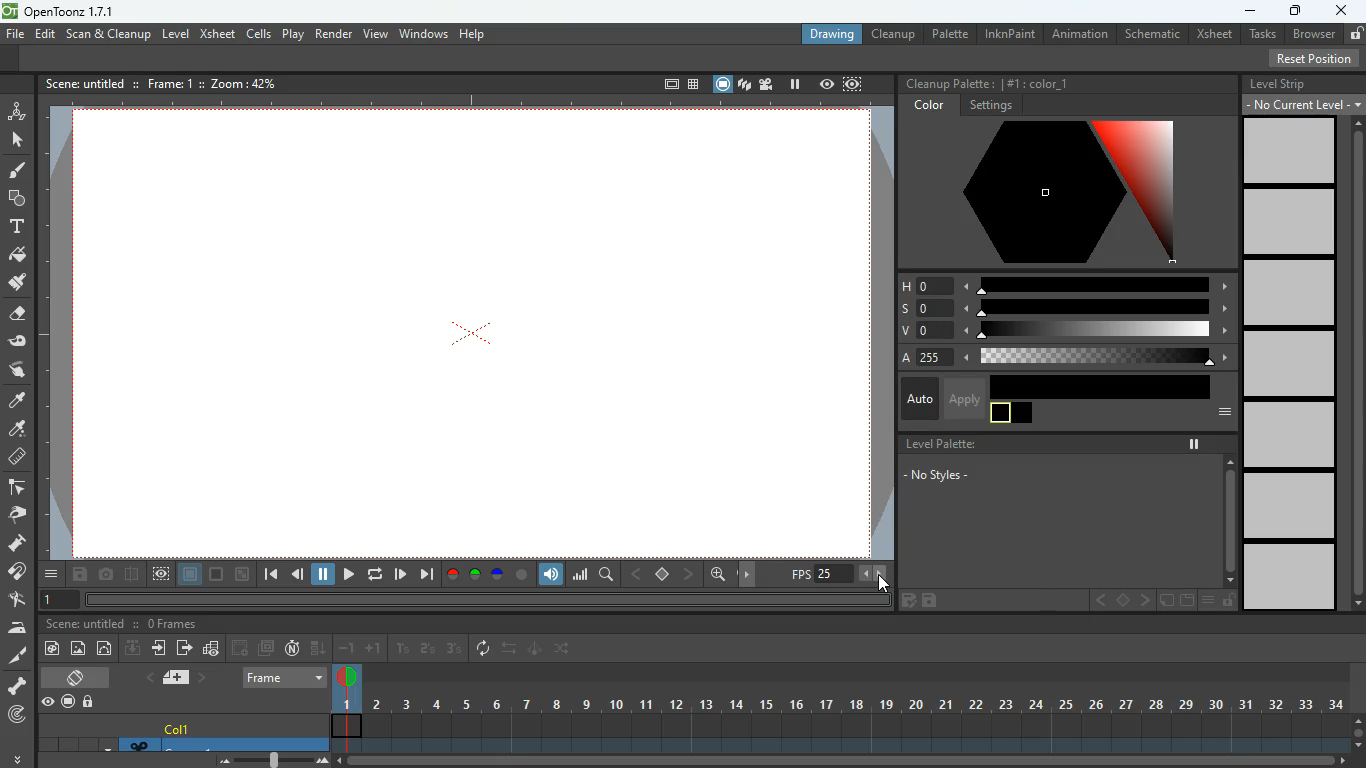 The height and width of the screenshot is (768, 1366). I want to click on 2, so click(429, 648).